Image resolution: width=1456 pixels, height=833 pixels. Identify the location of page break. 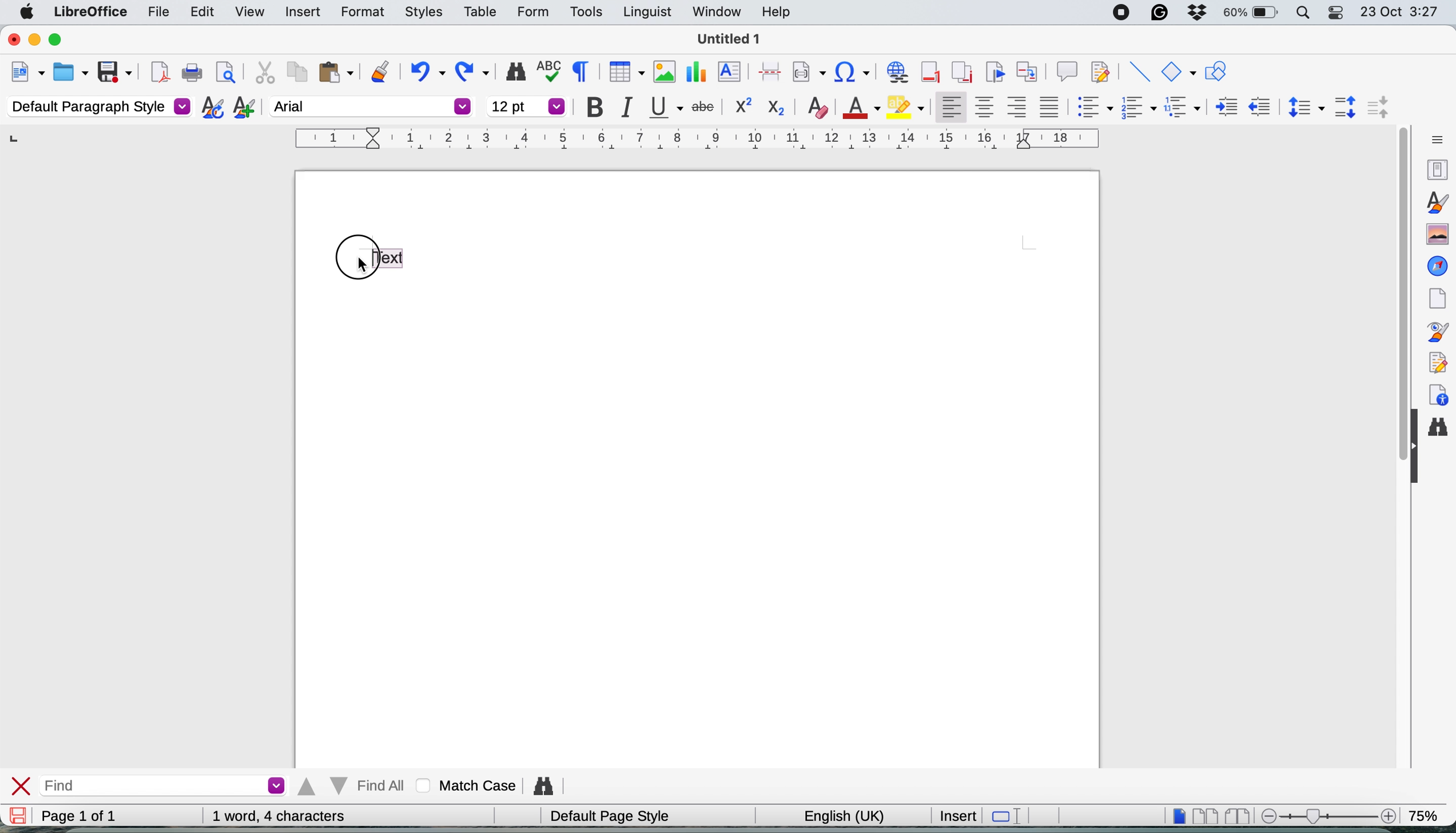
(771, 70).